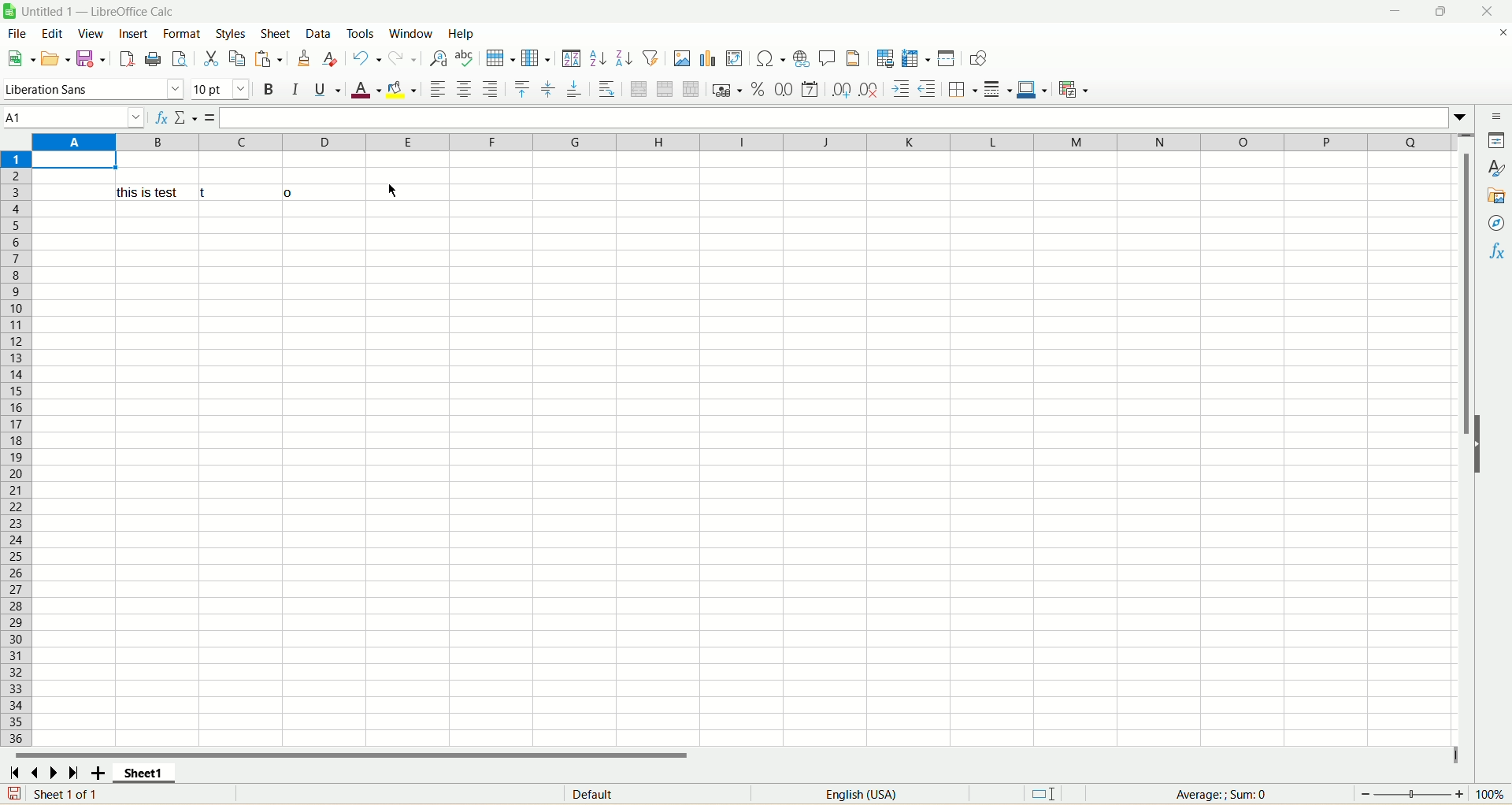 This screenshot has width=1512, height=805. Describe the element at coordinates (14, 446) in the screenshot. I see `row` at that location.